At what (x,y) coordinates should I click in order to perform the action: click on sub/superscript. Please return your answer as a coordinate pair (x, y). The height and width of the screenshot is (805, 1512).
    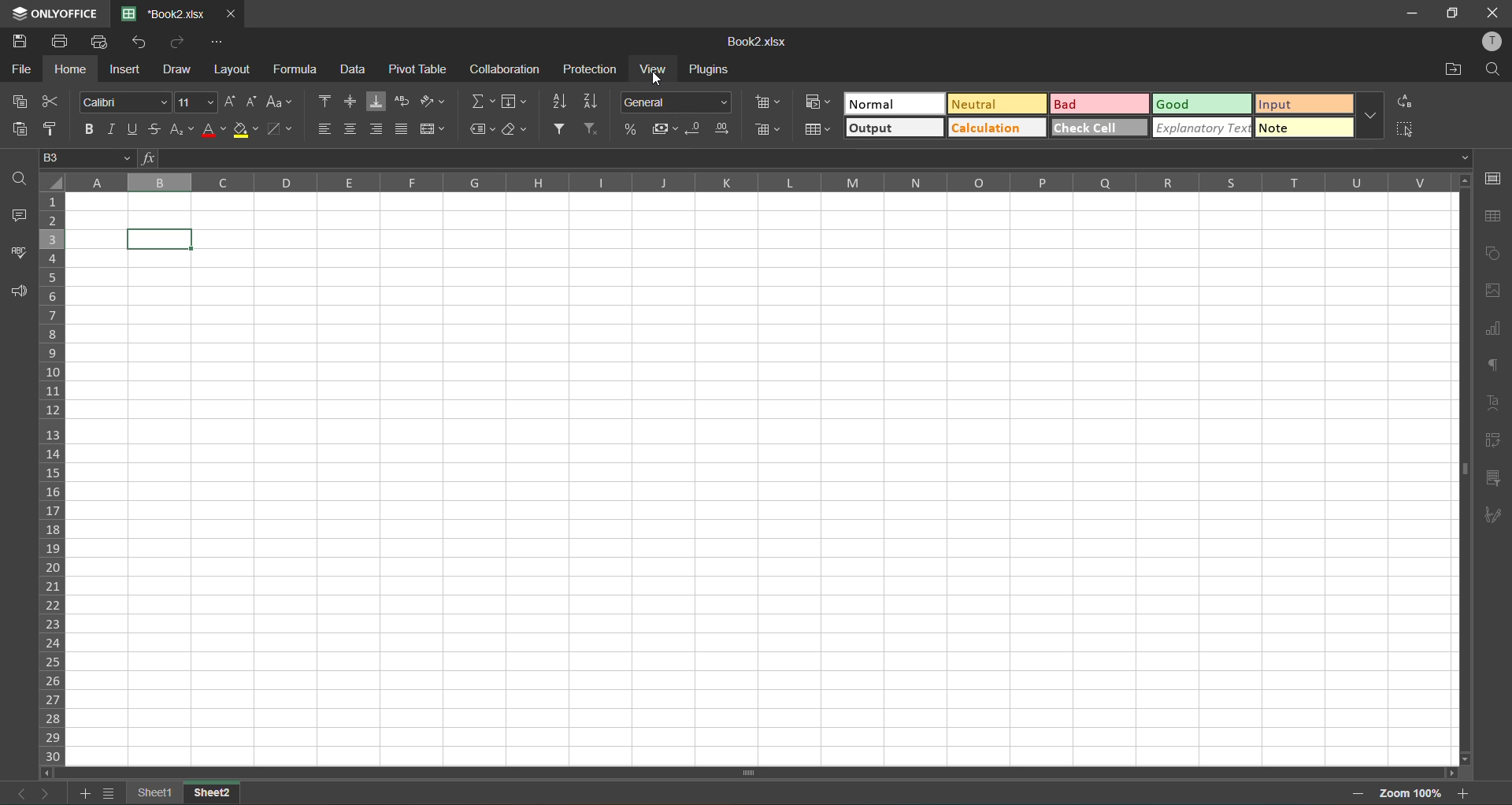
    Looking at the image, I should click on (184, 130).